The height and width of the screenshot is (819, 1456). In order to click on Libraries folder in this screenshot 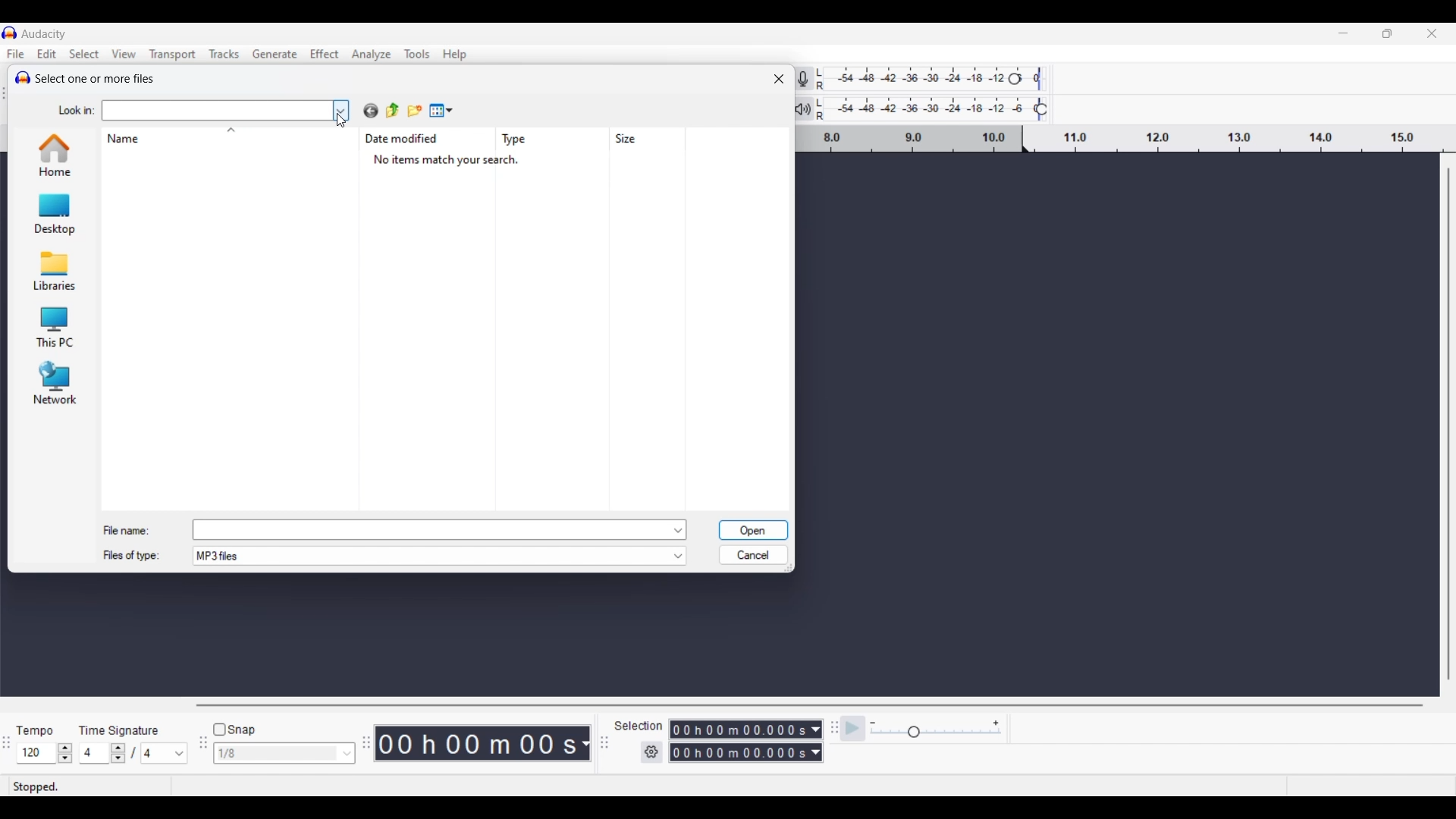, I will do `click(52, 270)`.